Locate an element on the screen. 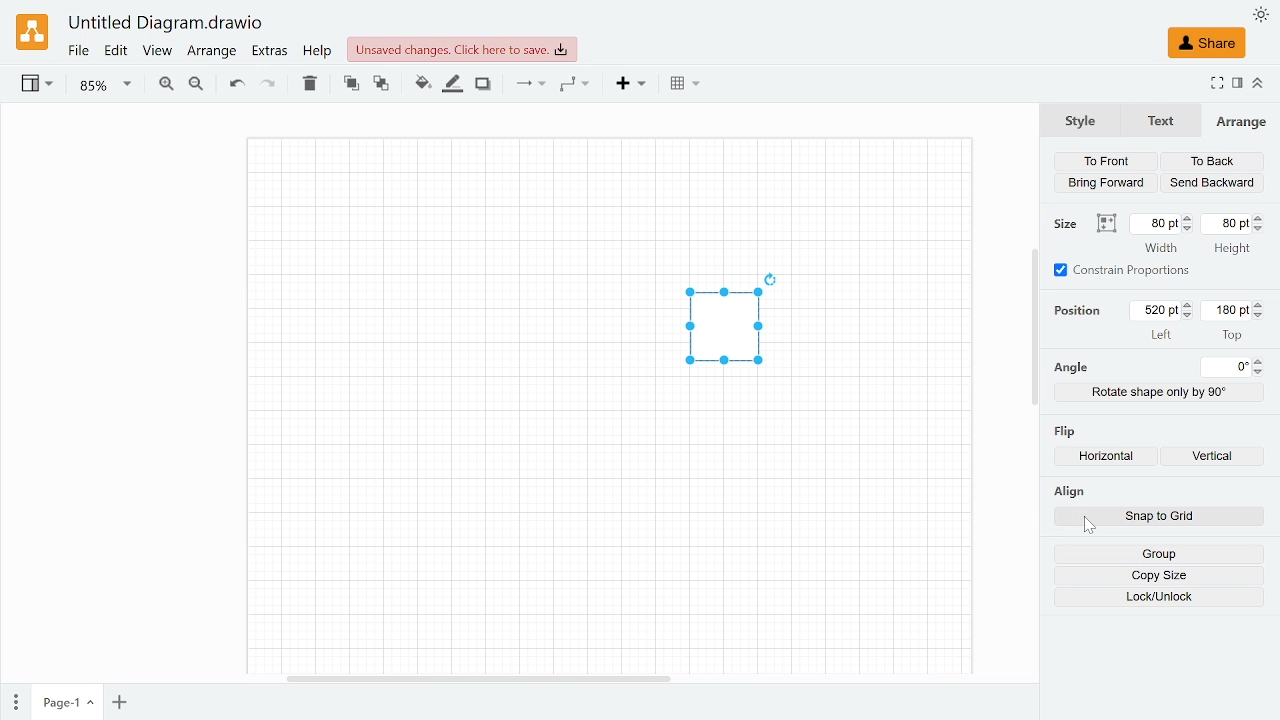  Unsaved changes. Click here to save. is located at coordinates (462, 49).